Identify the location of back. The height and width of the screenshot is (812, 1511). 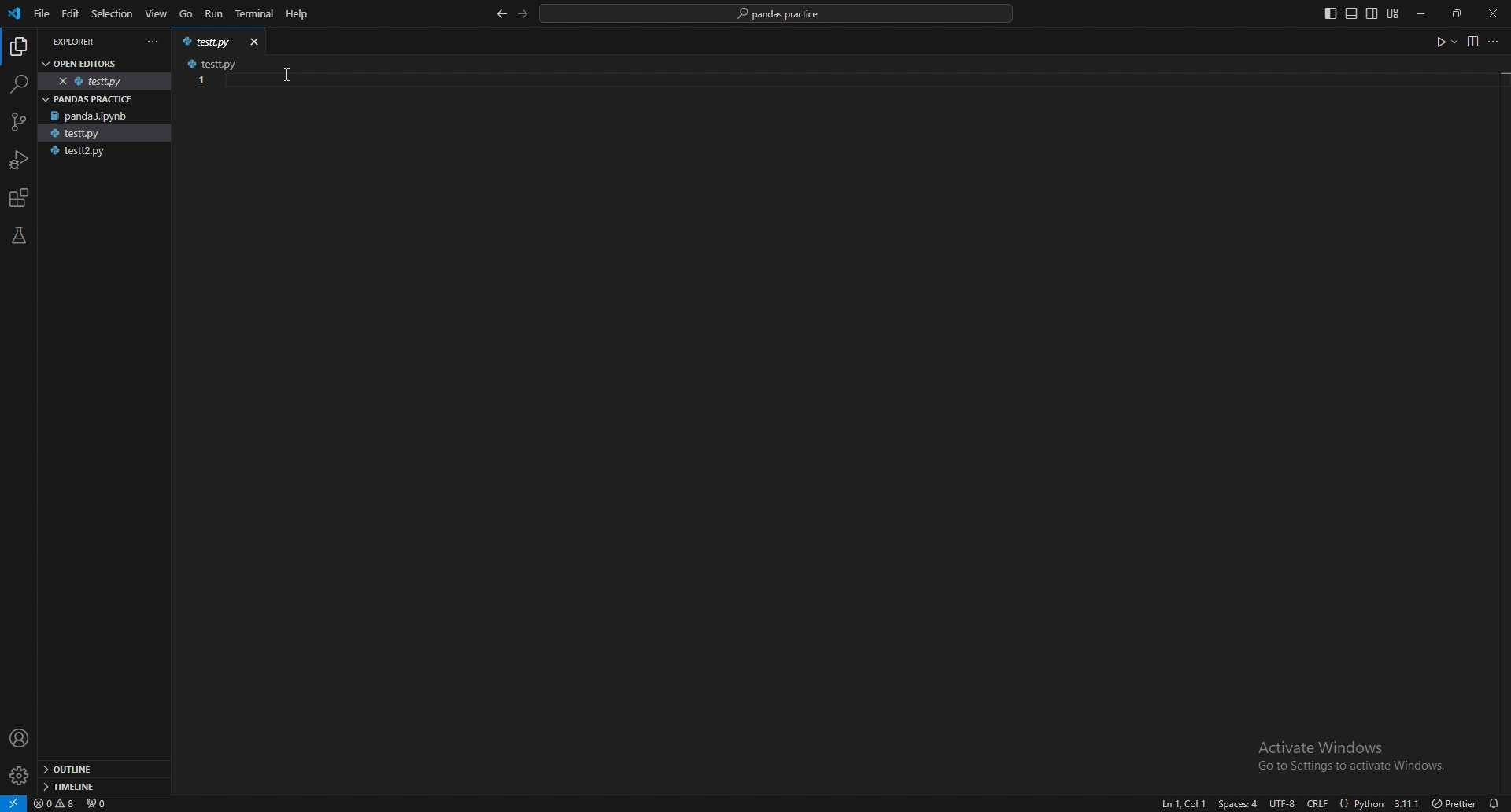
(501, 15).